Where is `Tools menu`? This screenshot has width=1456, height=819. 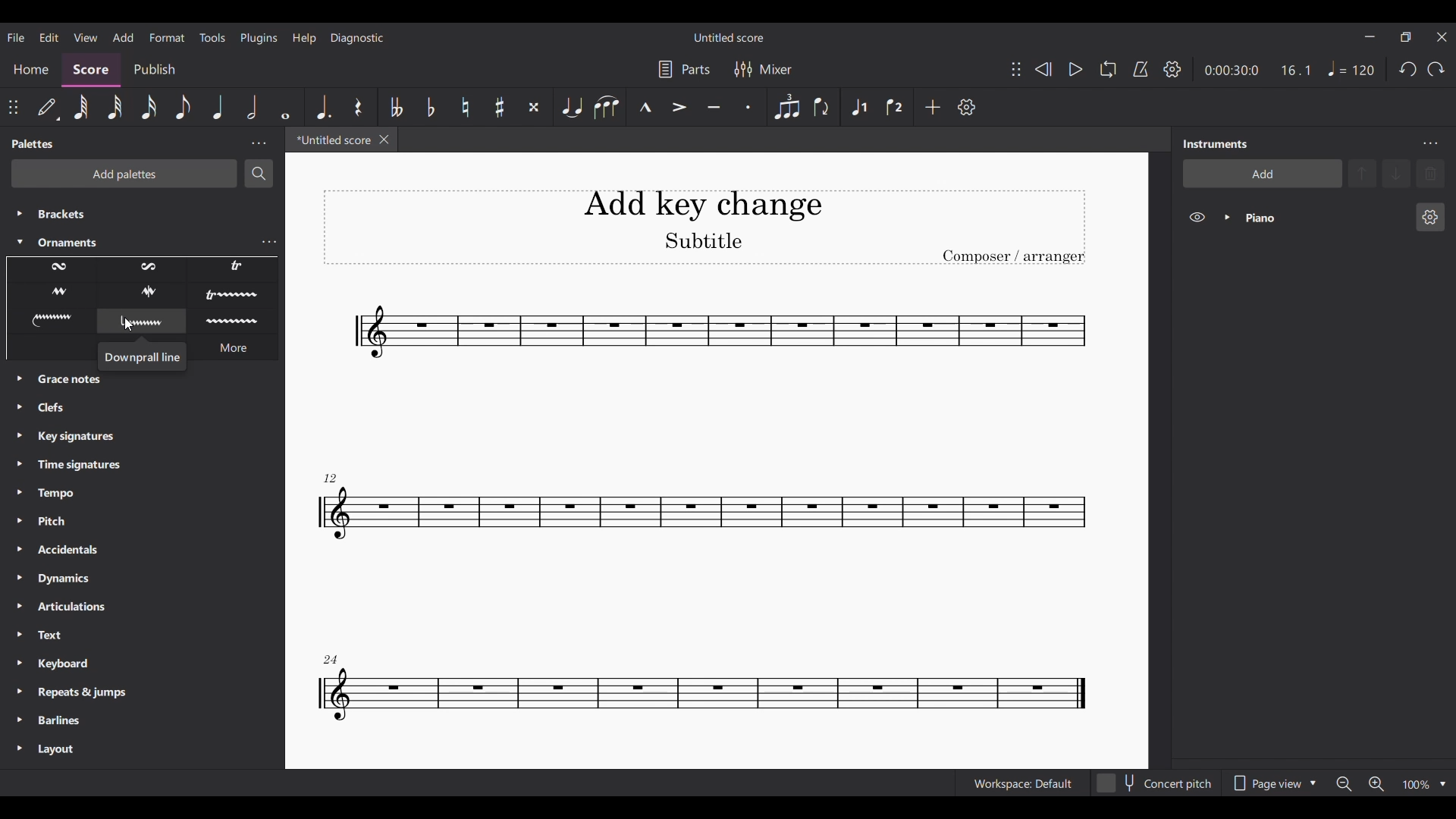
Tools menu is located at coordinates (212, 37).